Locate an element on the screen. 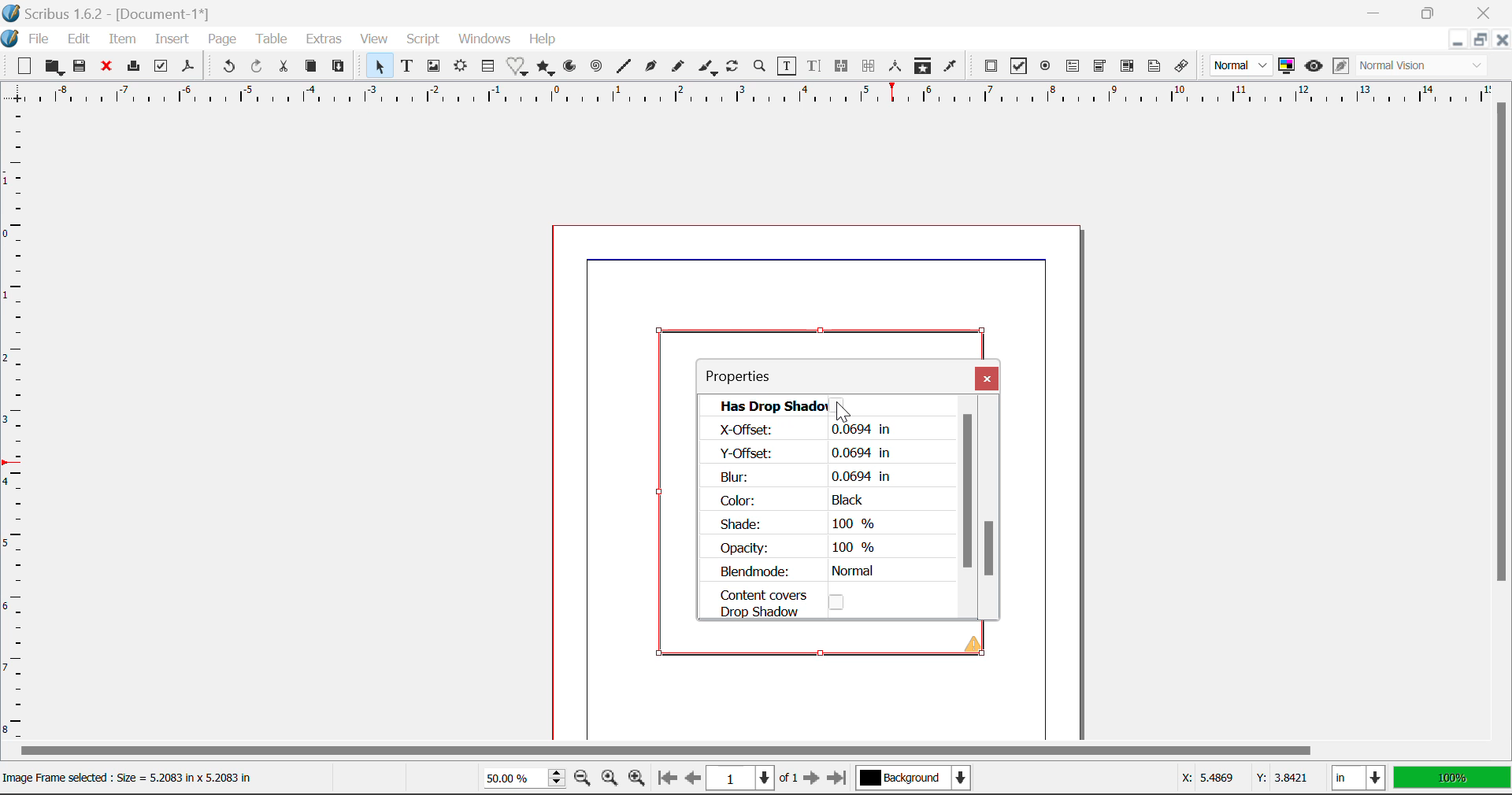 This screenshot has width=1512, height=795. Last page is located at coordinates (840, 775).